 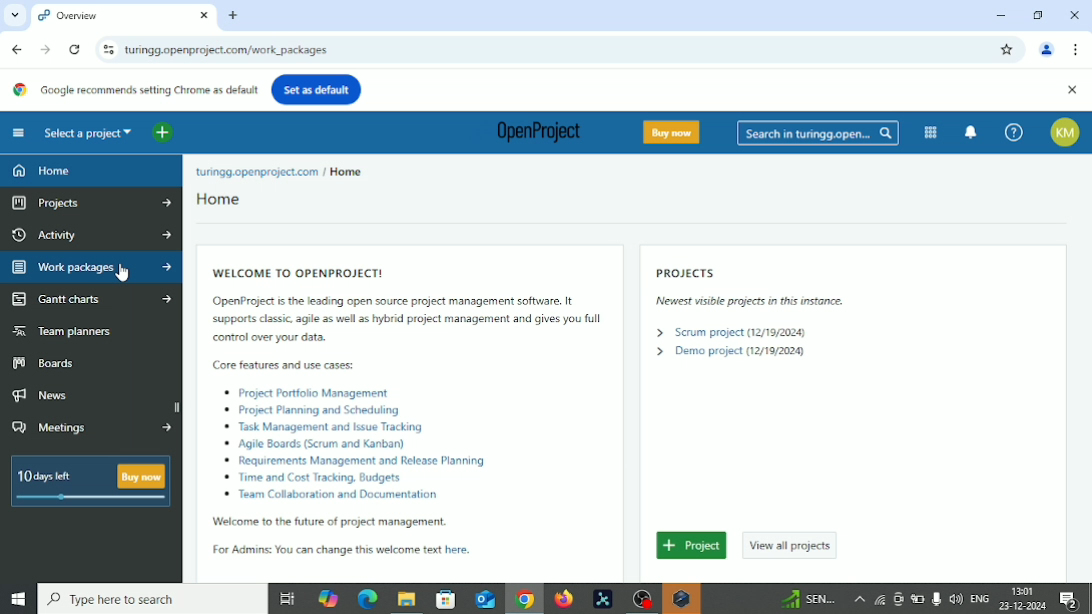 I want to click on cursor, so click(x=123, y=275).